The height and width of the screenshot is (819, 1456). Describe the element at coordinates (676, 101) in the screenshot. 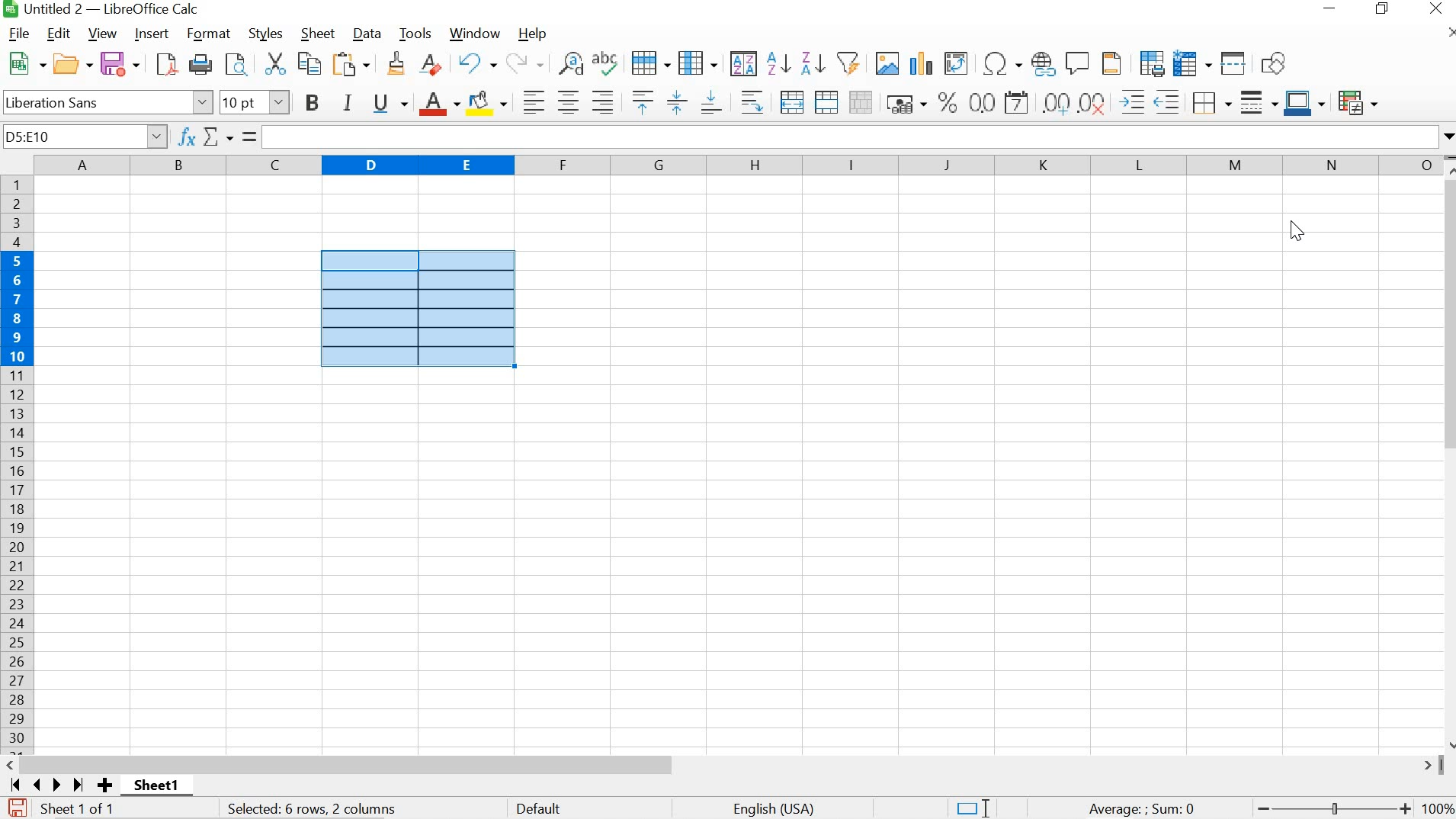

I see `CENTER VERTICALLY` at that location.